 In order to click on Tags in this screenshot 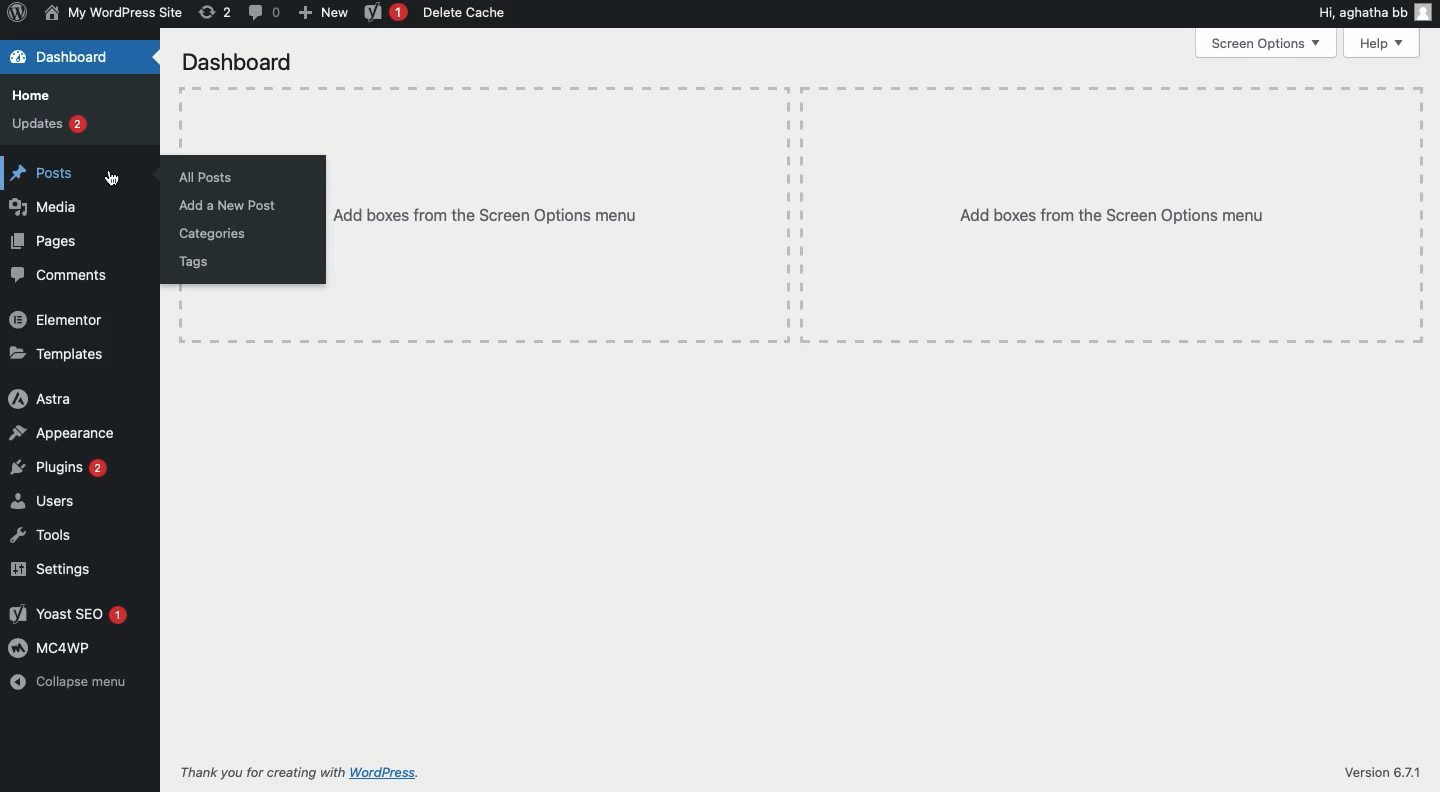, I will do `click(193, 263)`.